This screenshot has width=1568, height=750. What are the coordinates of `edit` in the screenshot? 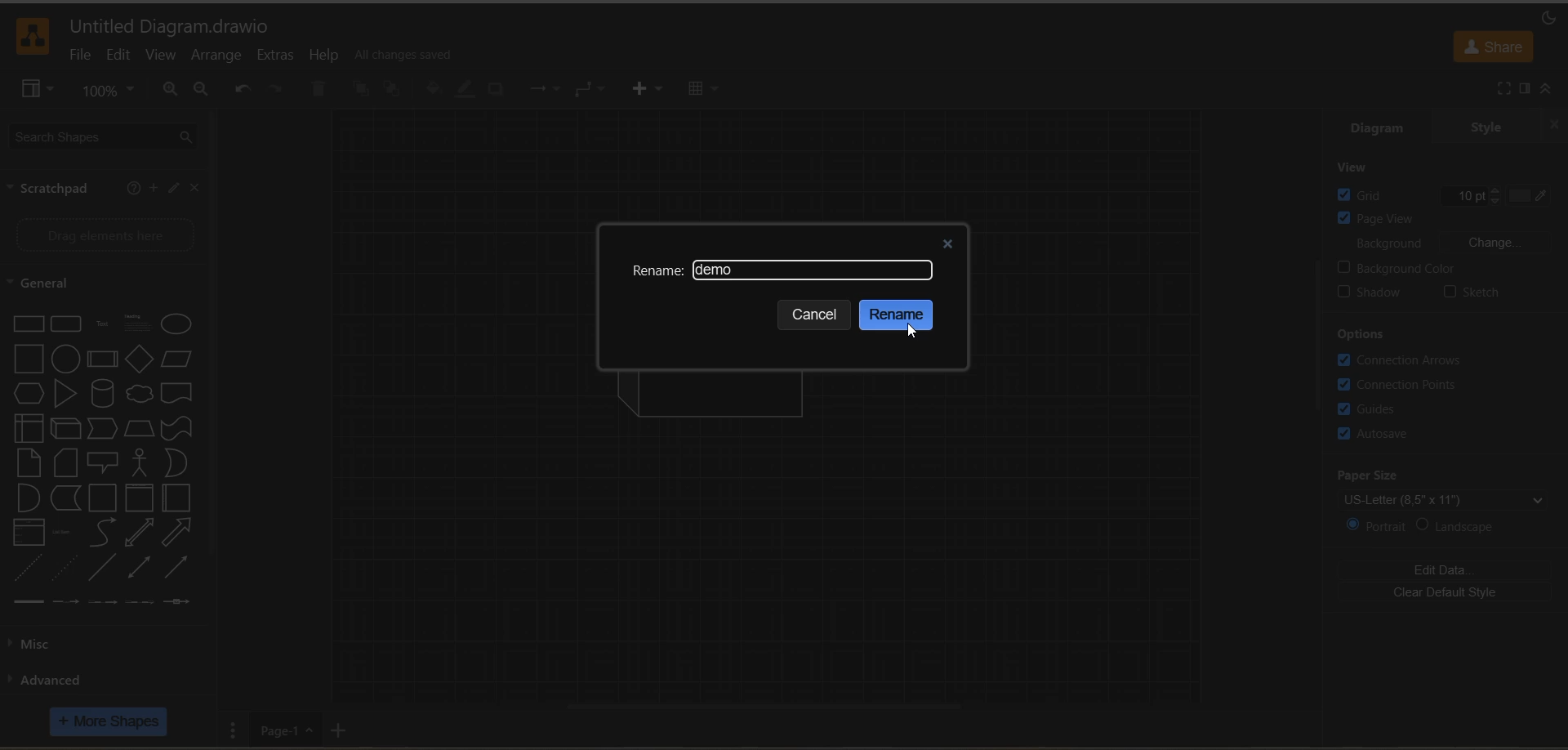 It's located at (122, 57).